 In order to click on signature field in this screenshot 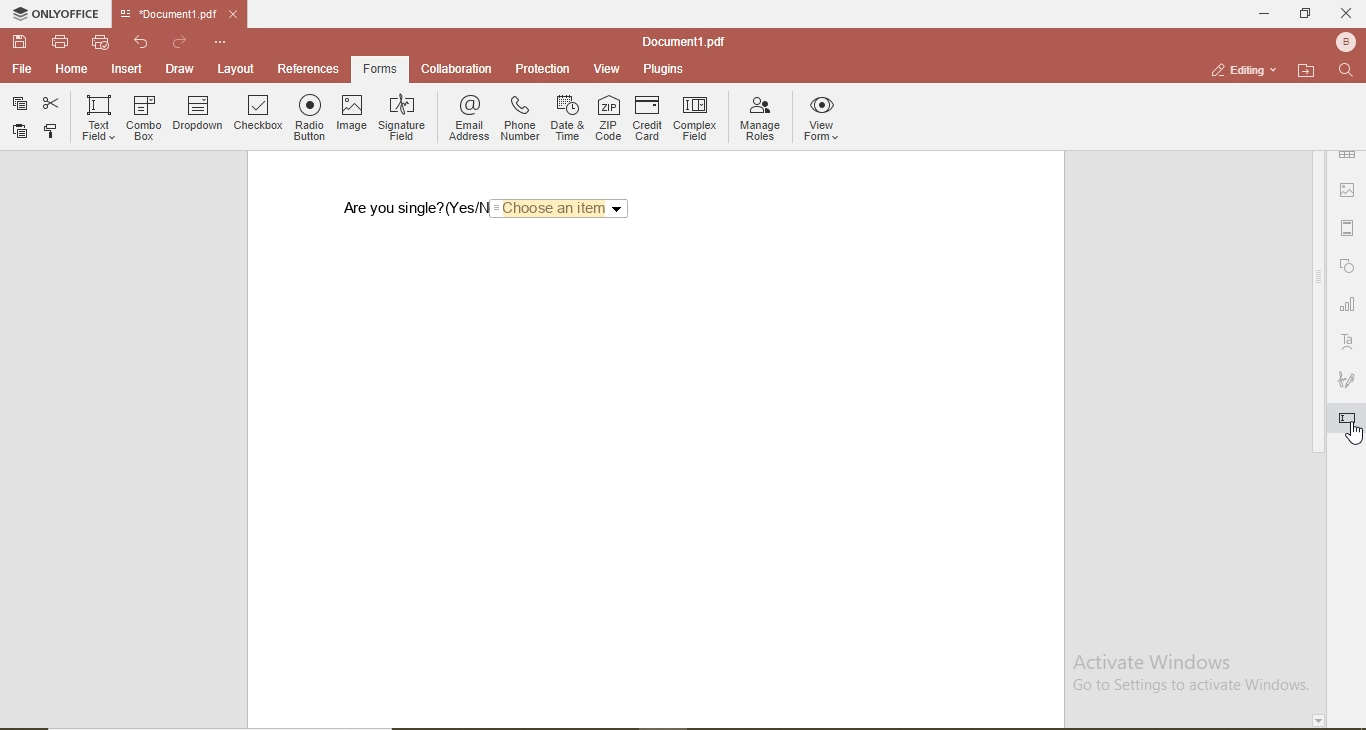, I will do `click(401, 114)`.